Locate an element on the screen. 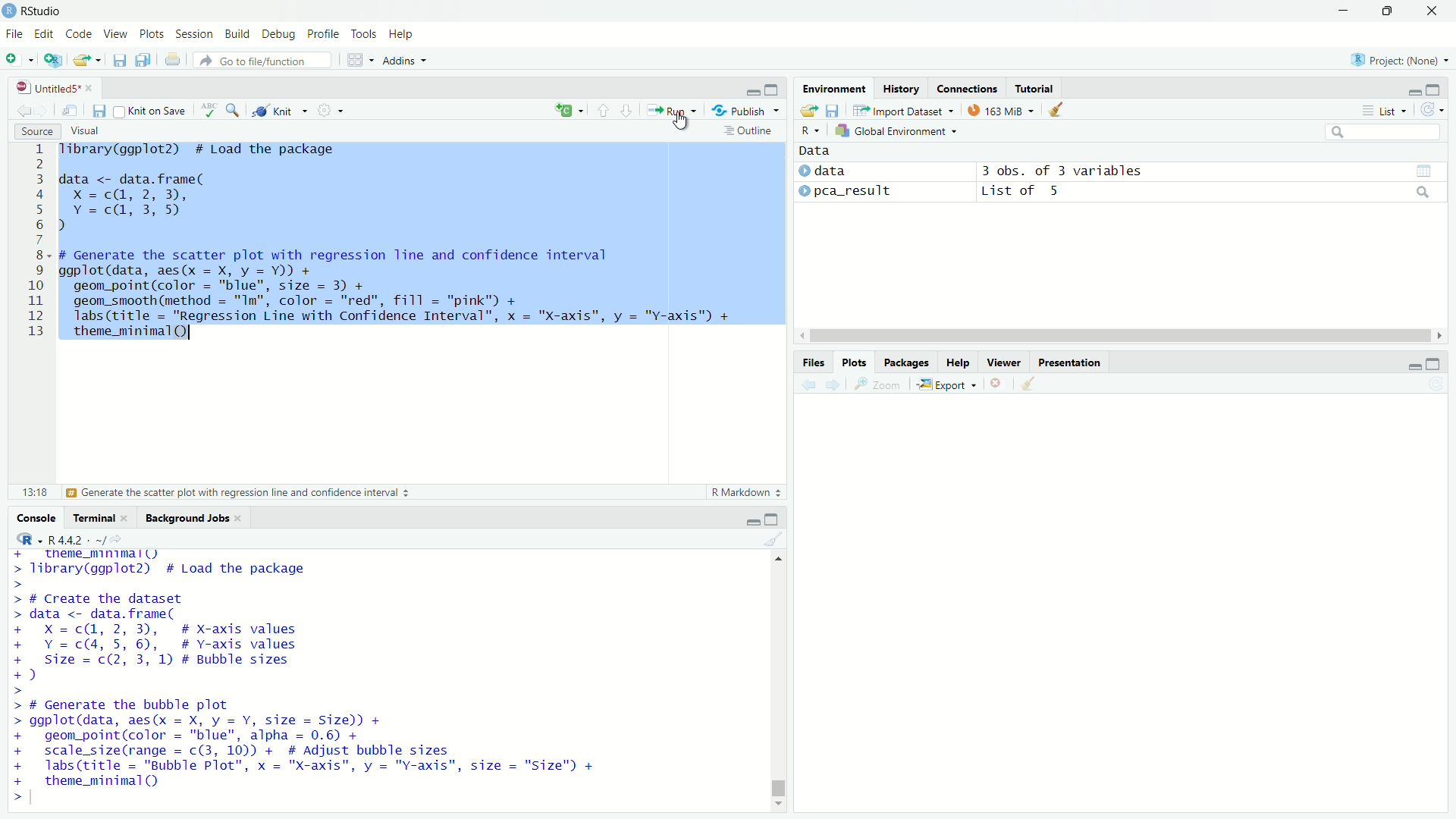  R is located at coordinates (26, 539).